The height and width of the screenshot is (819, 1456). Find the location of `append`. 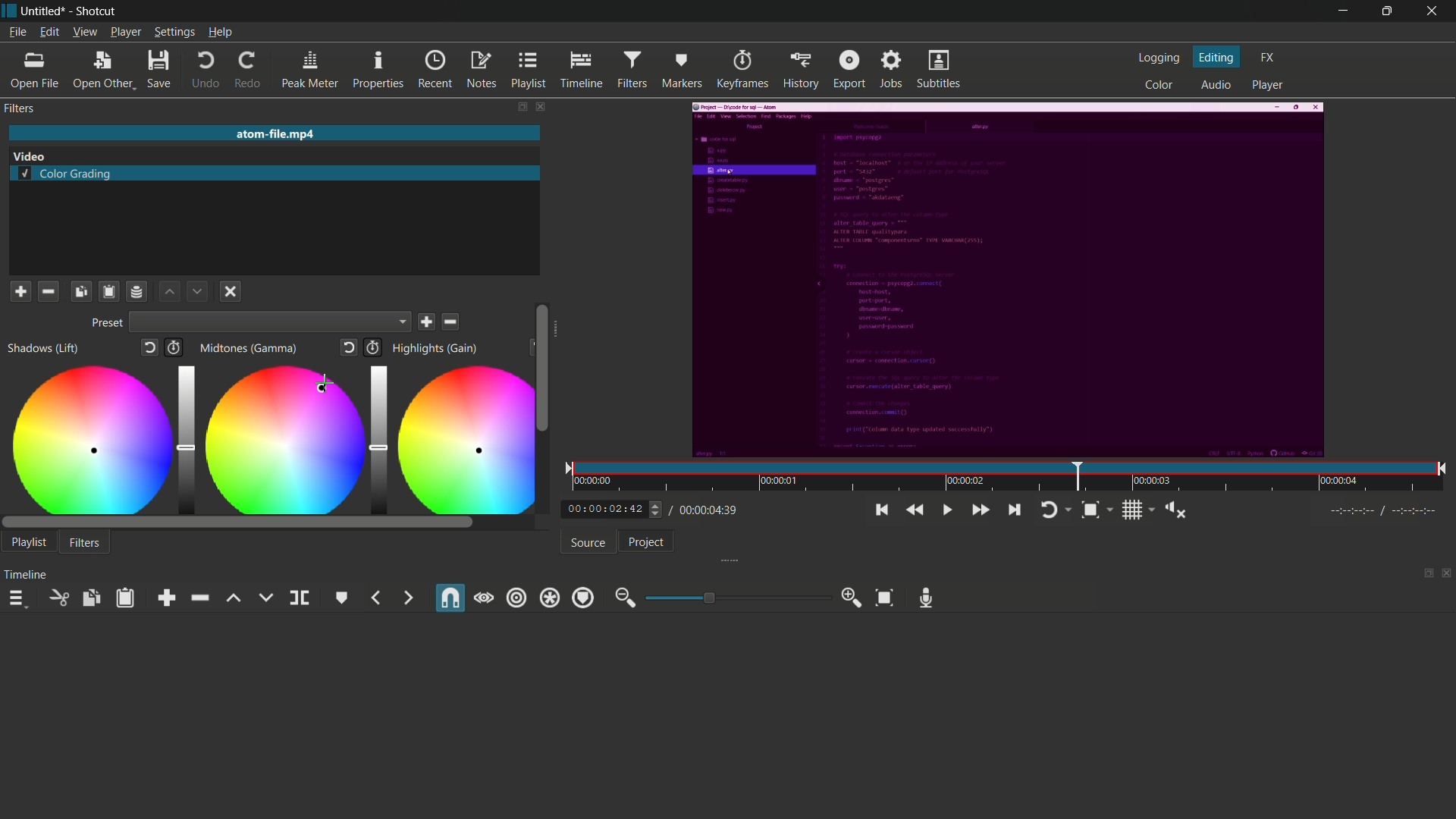

append is located at coordinates (170, 598).